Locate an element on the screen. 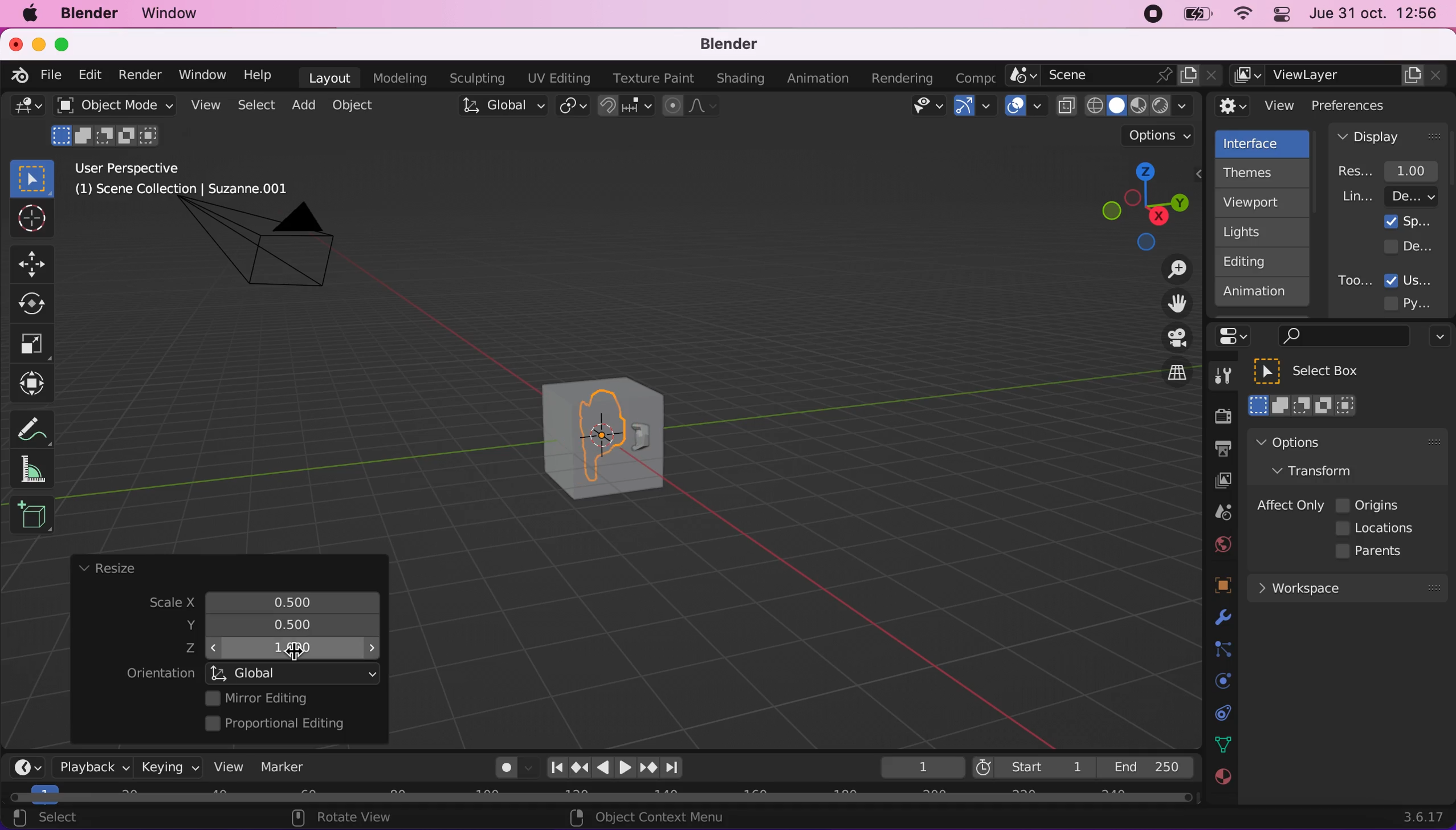 Image resolution: width=1456 pixels, height=830 pixels. window is located at coordinates (175, 14).